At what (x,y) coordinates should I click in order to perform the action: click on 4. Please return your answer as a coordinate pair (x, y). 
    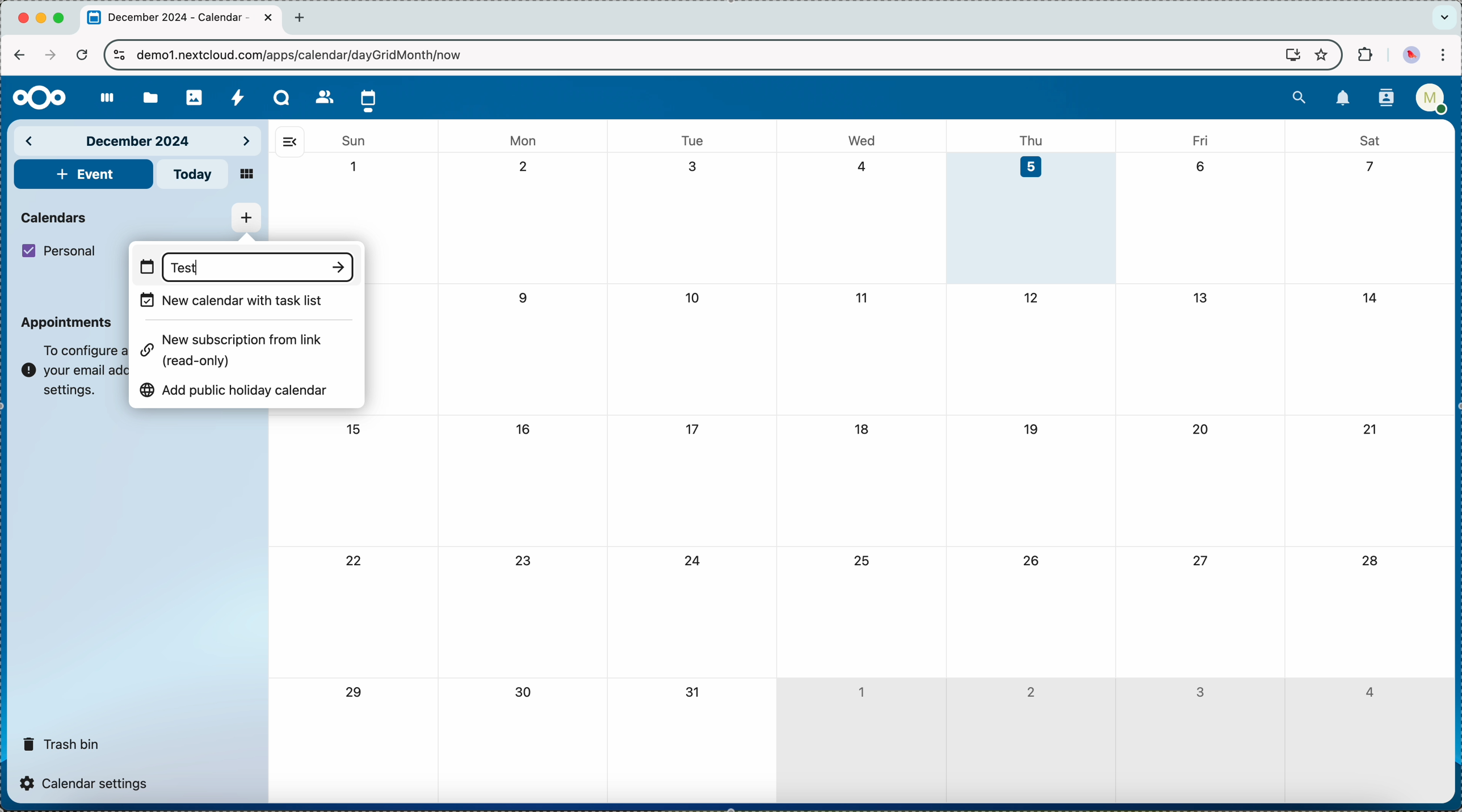
    Looking at the image, I should click on (1368, 692).